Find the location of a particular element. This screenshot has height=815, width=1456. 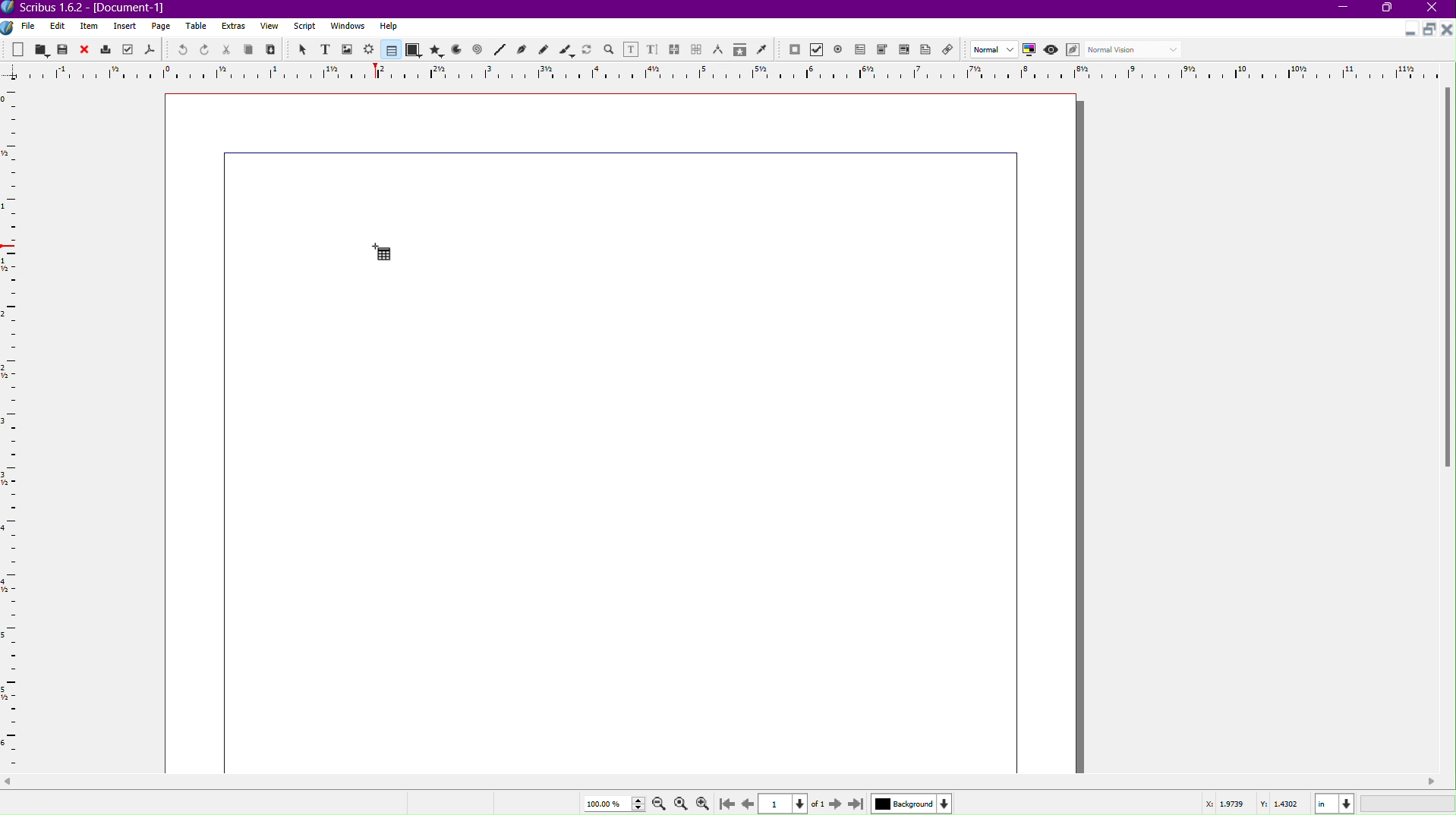

View is located at coordinates (269, 29).